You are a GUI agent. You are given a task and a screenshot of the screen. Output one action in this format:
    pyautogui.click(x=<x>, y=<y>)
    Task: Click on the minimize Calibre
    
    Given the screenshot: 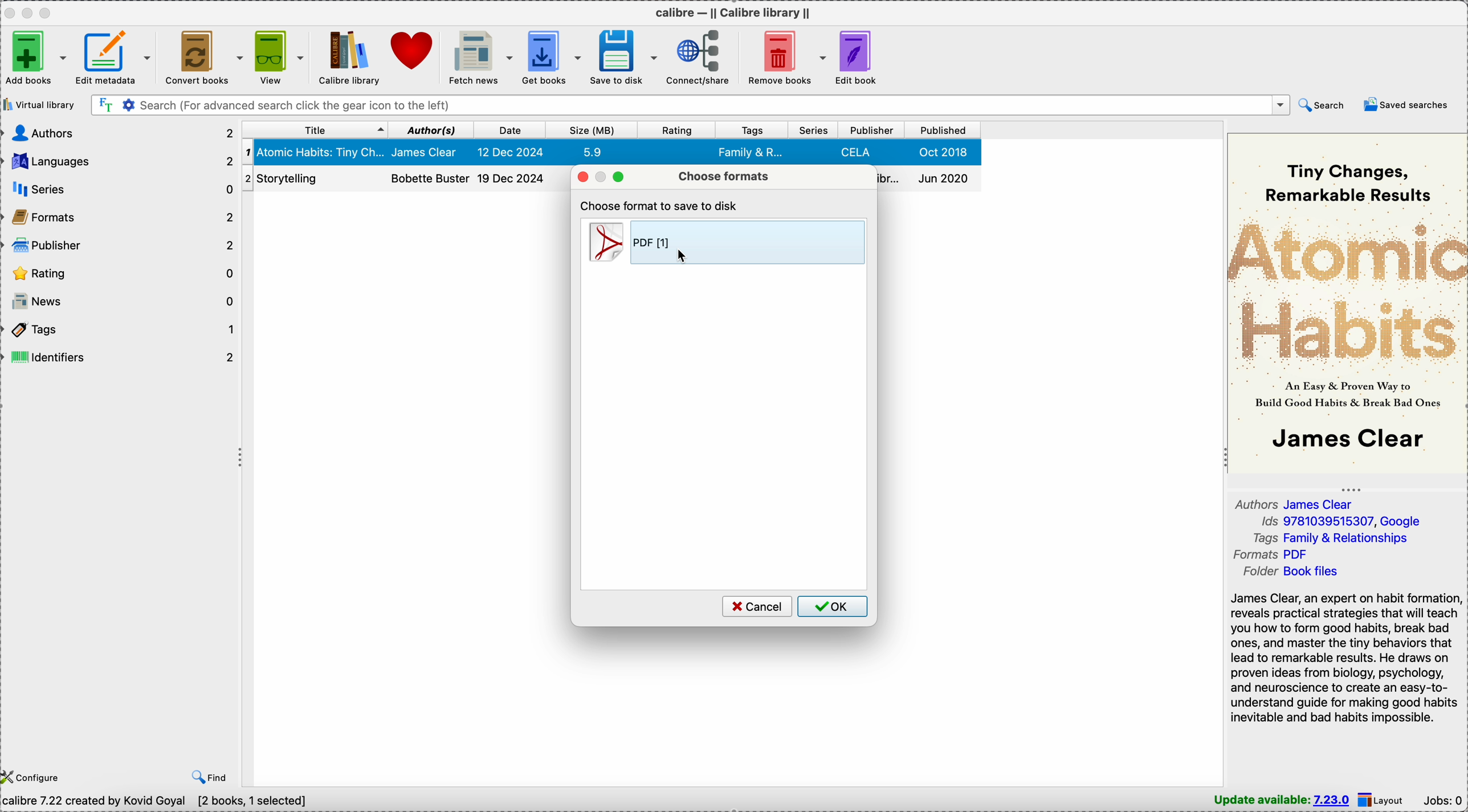 What is the action you would take?
    pyautogui.click(x=30, y=13)
    